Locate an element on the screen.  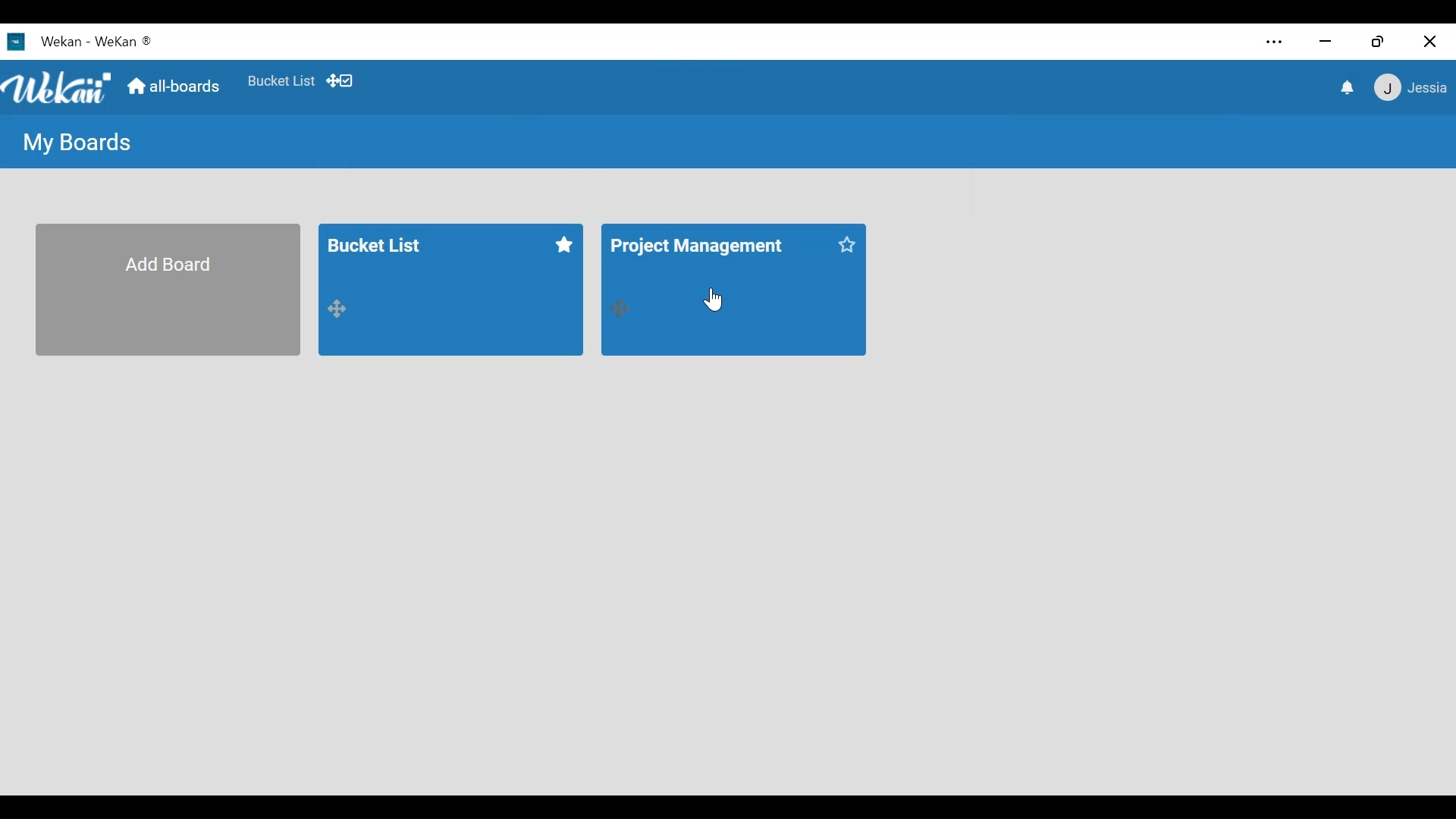
Add Board is located at coordinates (171, 289).